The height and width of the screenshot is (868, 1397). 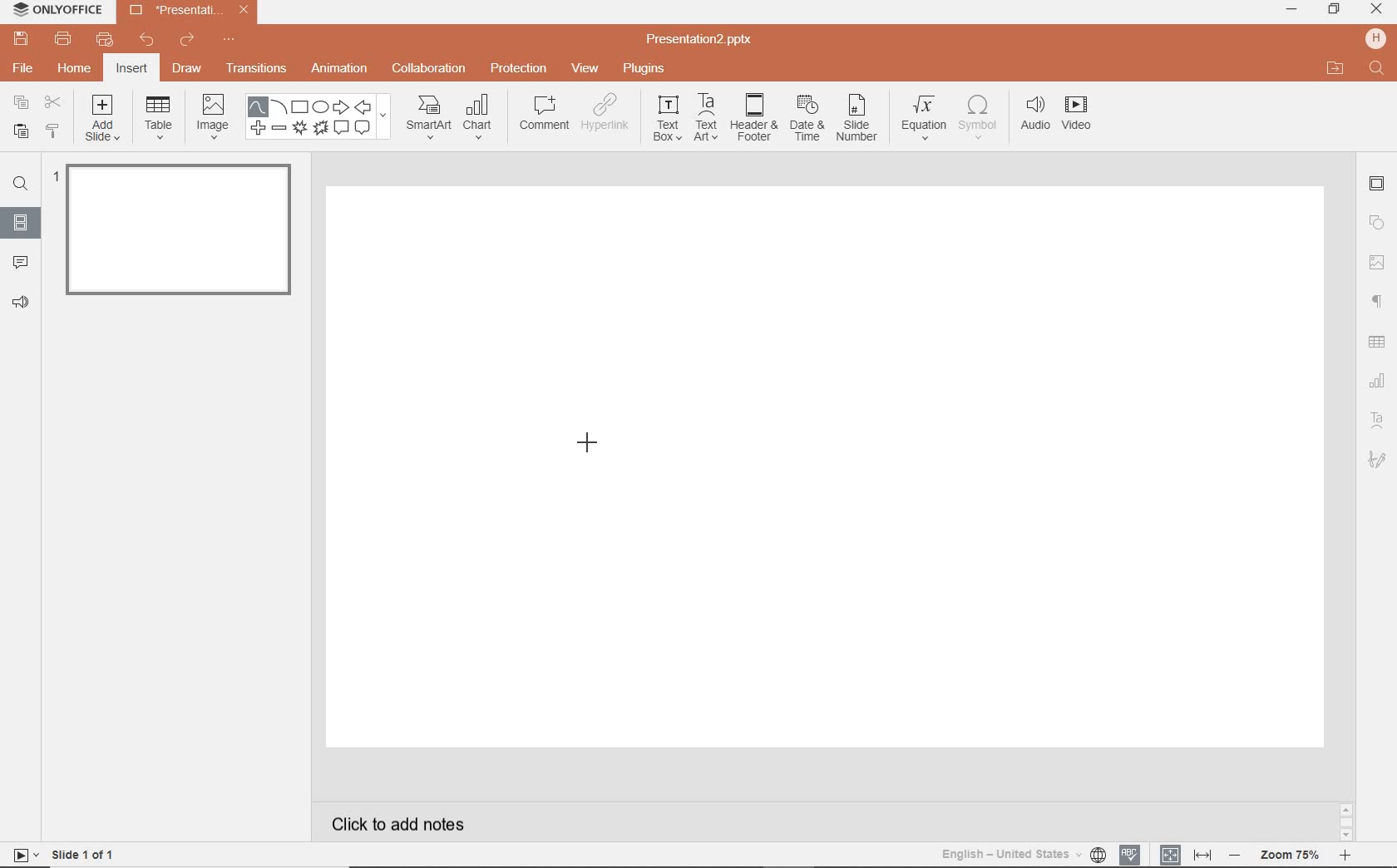 I want to click on FIT TO SLIDE / FIT TO WIDTH, so click(x=1186, y=853).